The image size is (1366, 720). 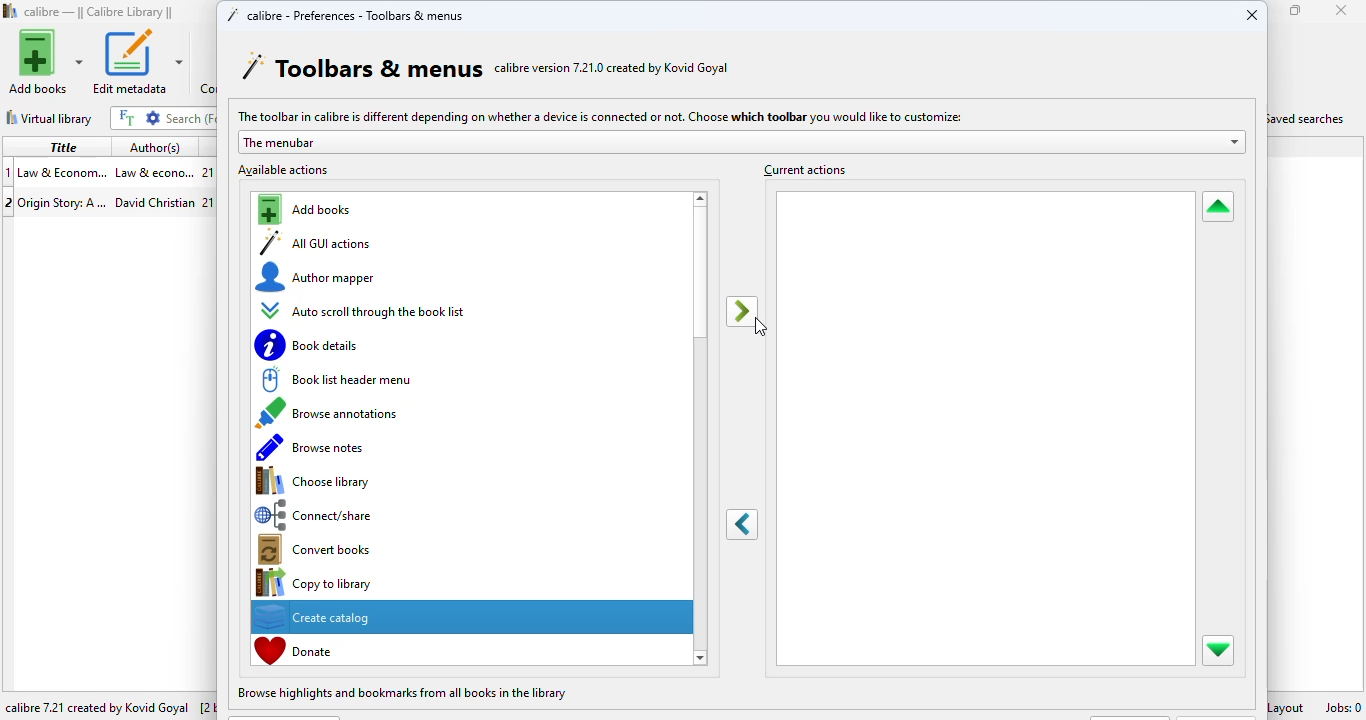 I want to click on choose library, so click(x=315, y=481).